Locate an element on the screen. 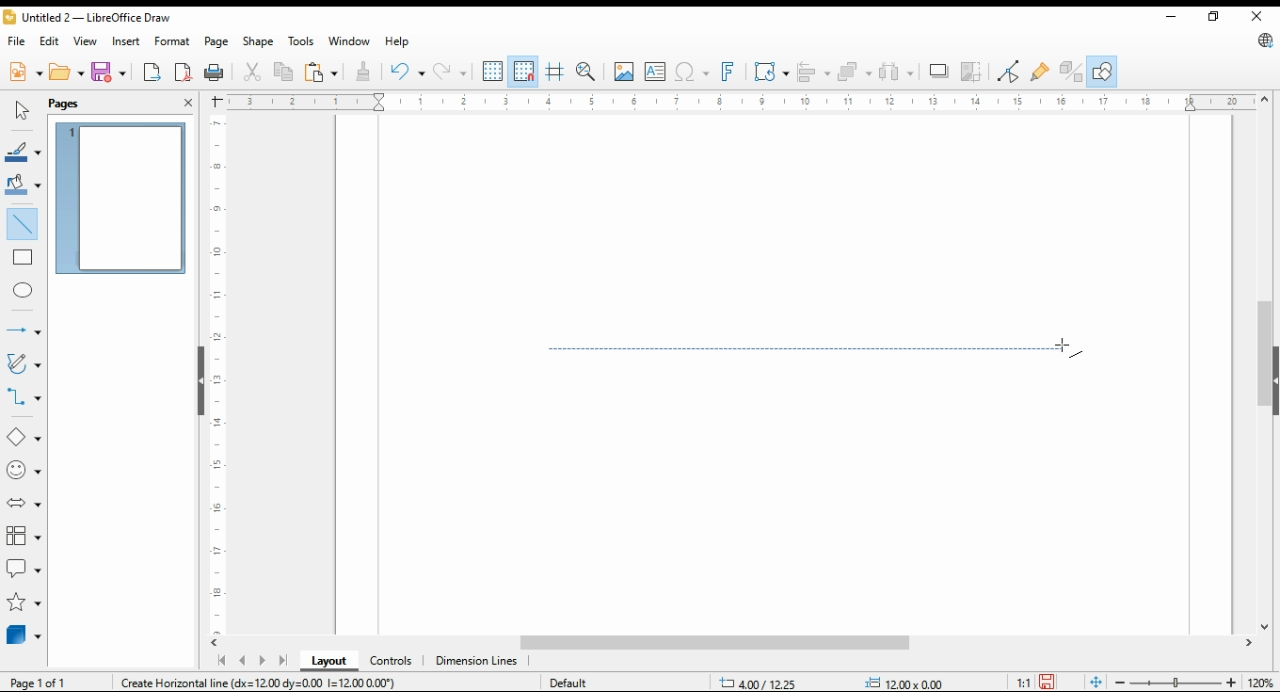 The width and height of the screenshot is (1280, 692). transformations is located at coordinates (770, 71).